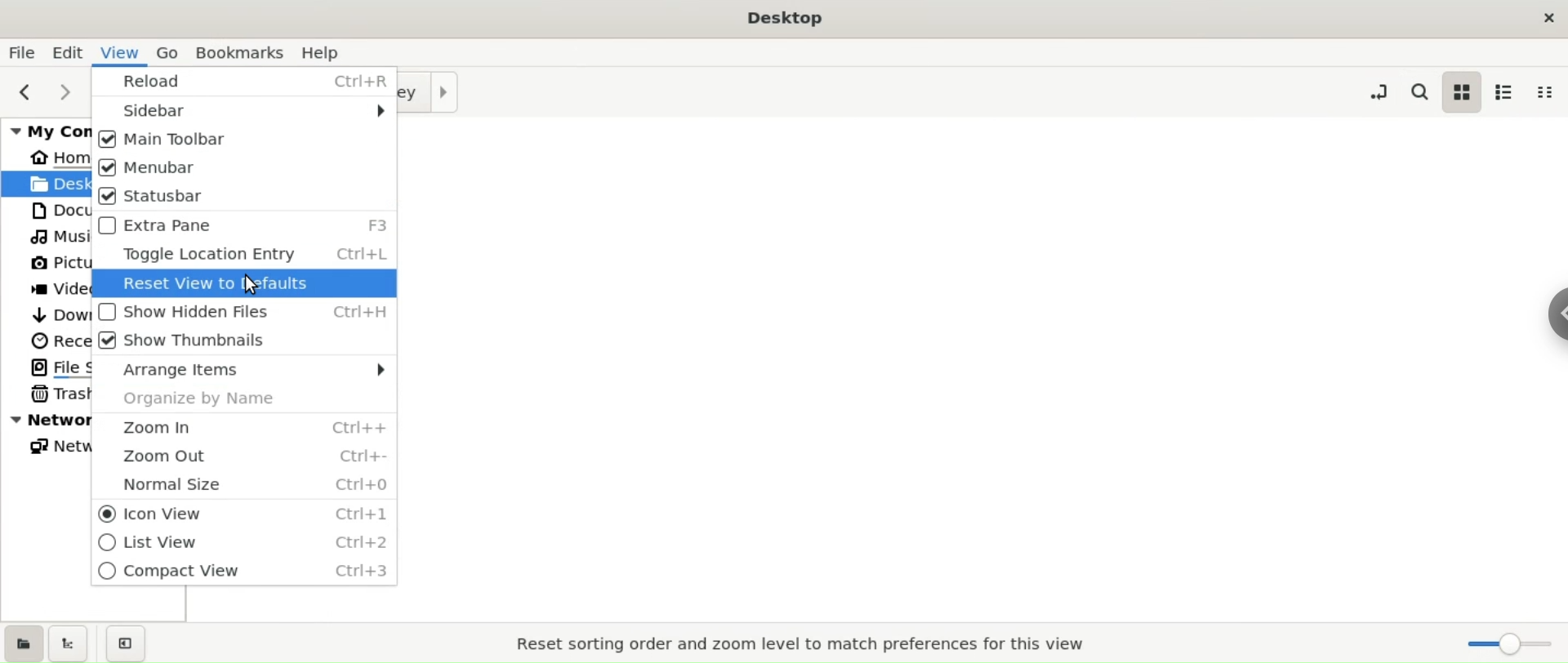  What do you see at coordinates (72, 52) in the screenshot?
I see `edit` at bounding box center [72, 52].